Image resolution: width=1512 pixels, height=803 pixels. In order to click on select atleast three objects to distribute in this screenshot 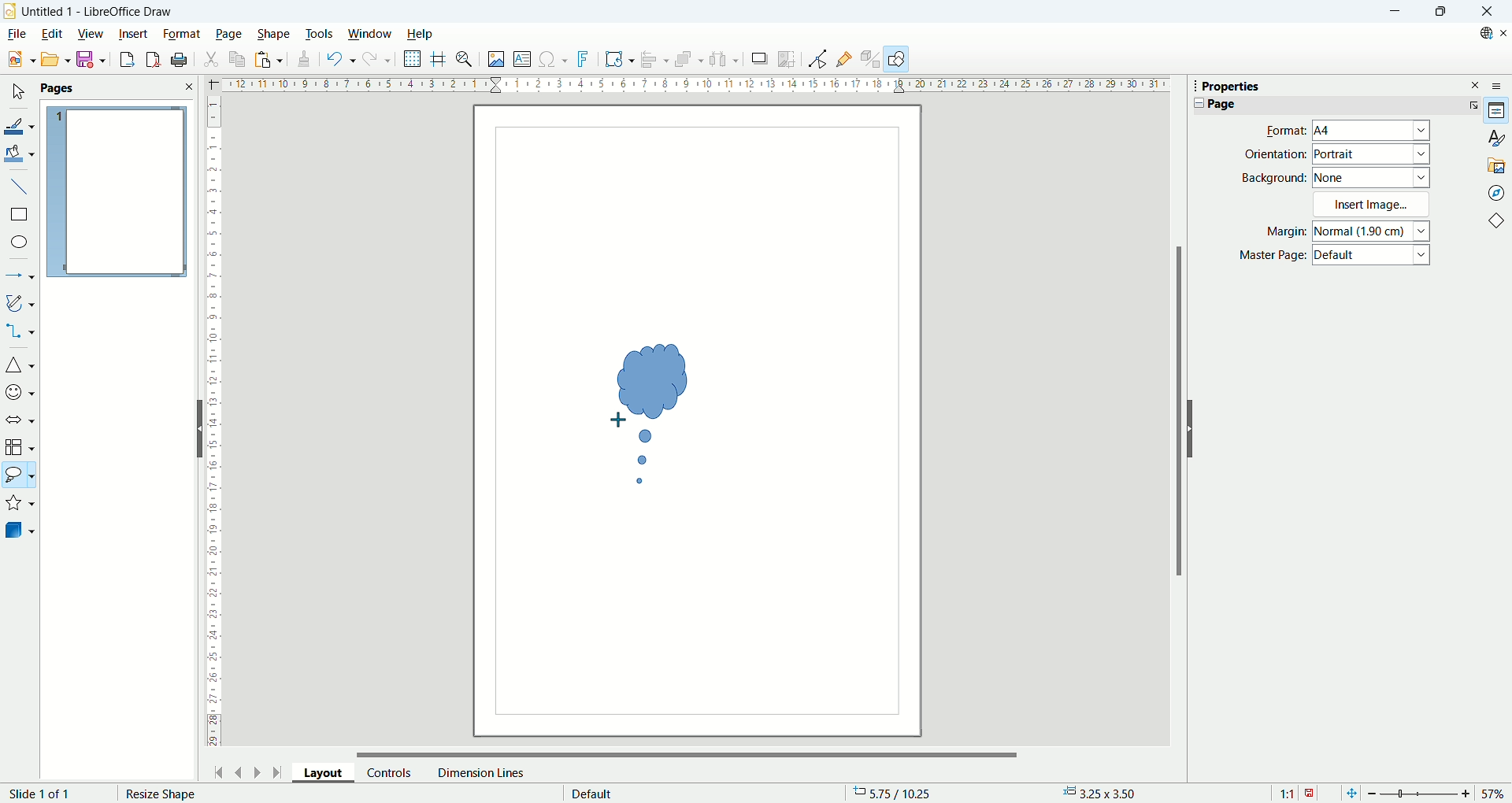, I will do `click(724, 59)`.